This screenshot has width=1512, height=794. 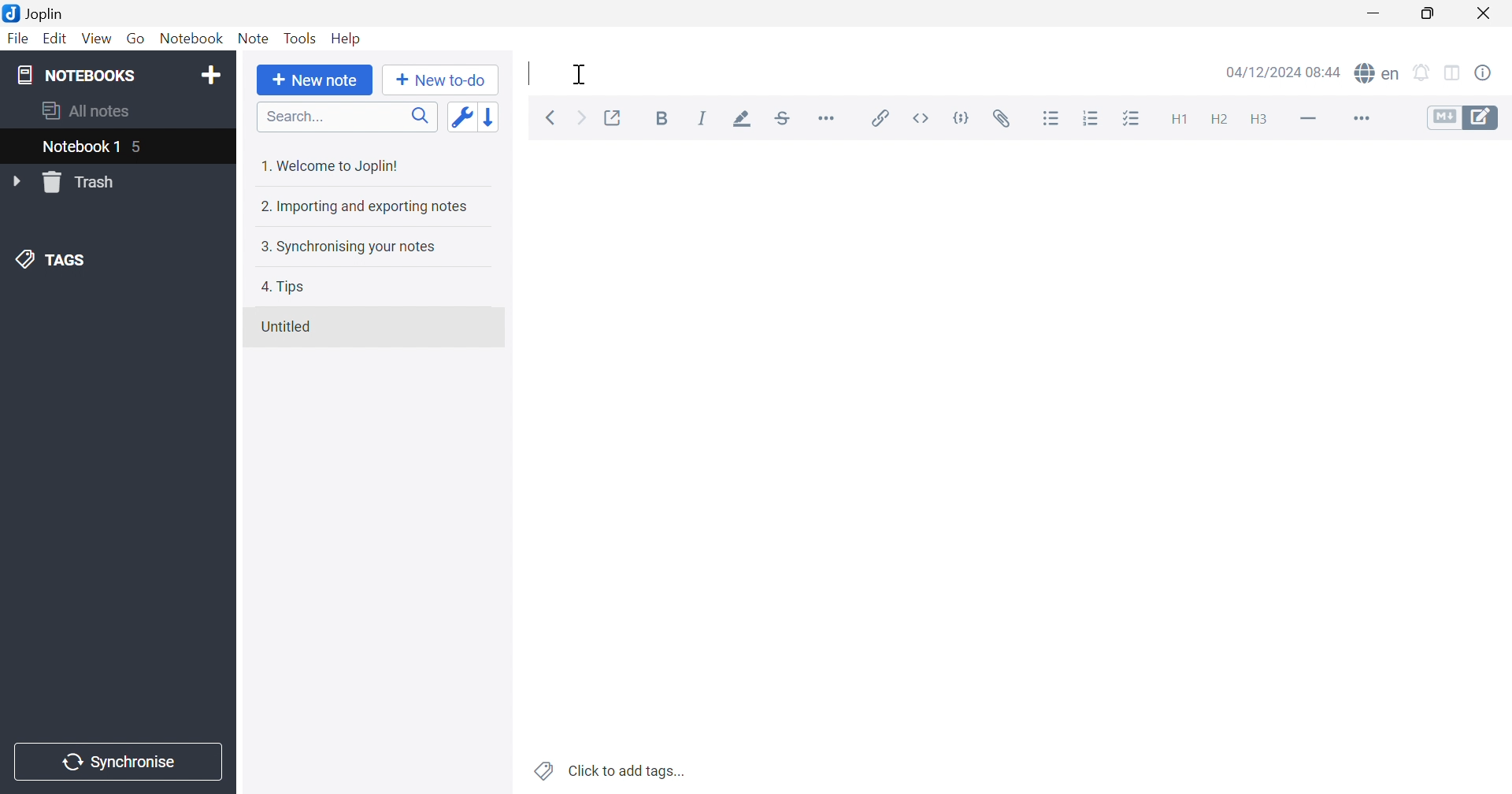 I want to click on Typing cursor, so click(x=528, y=76).